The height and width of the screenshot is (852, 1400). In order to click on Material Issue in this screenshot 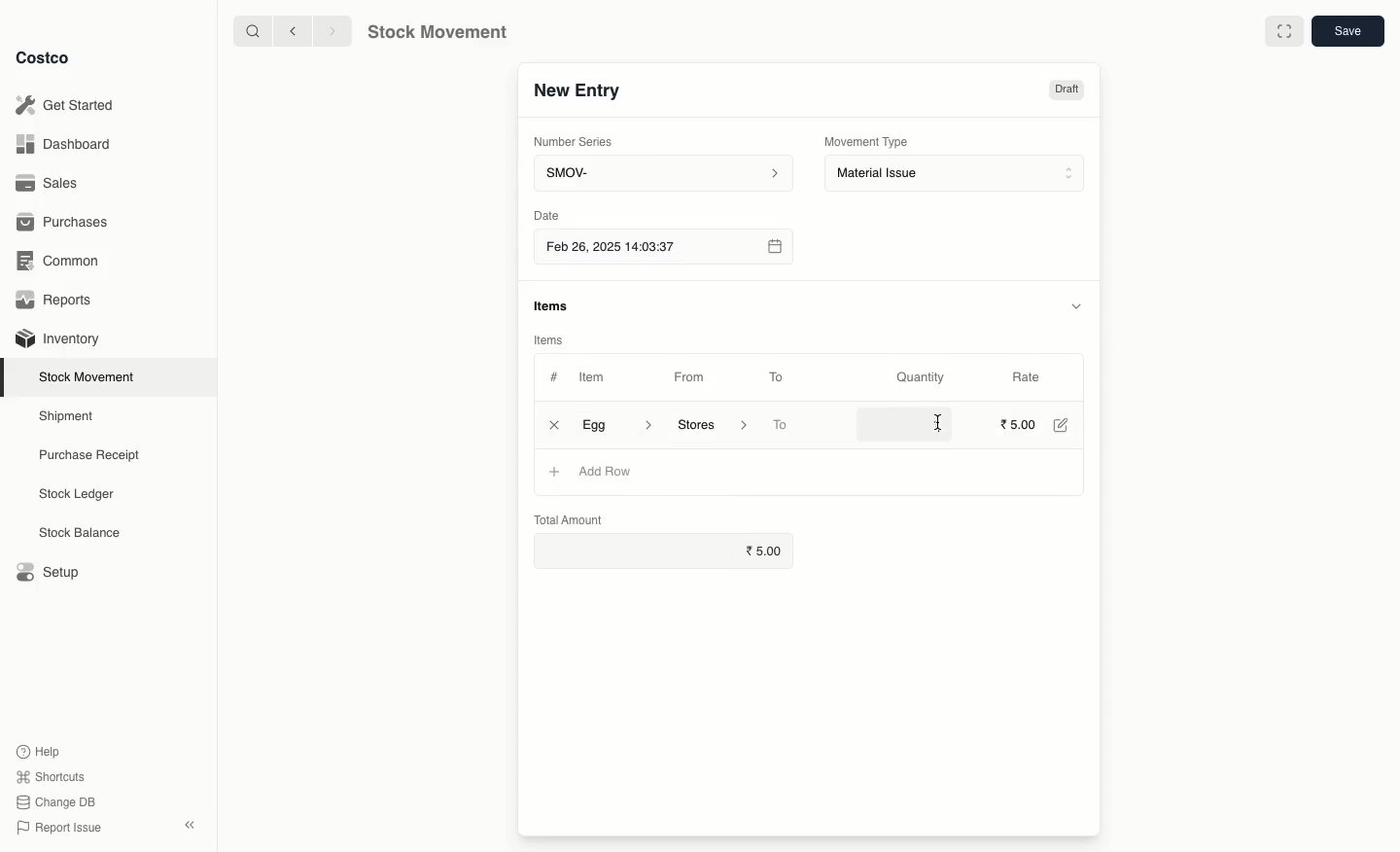, I will do `click(957, 174)`.